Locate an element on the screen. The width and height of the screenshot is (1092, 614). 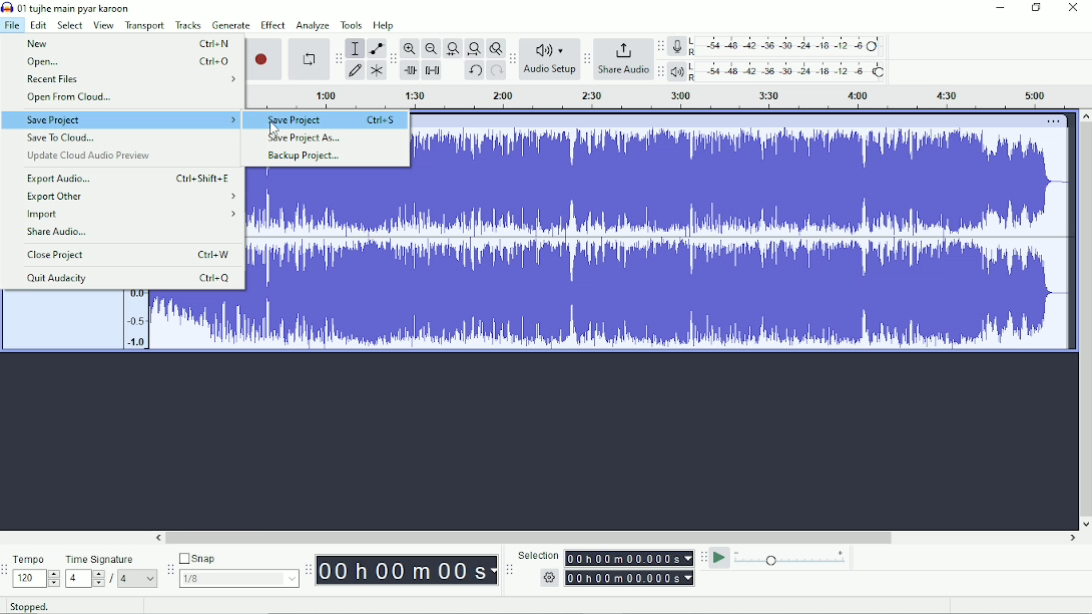
Vertical scrollbar is located at coordinates (1084, 320).